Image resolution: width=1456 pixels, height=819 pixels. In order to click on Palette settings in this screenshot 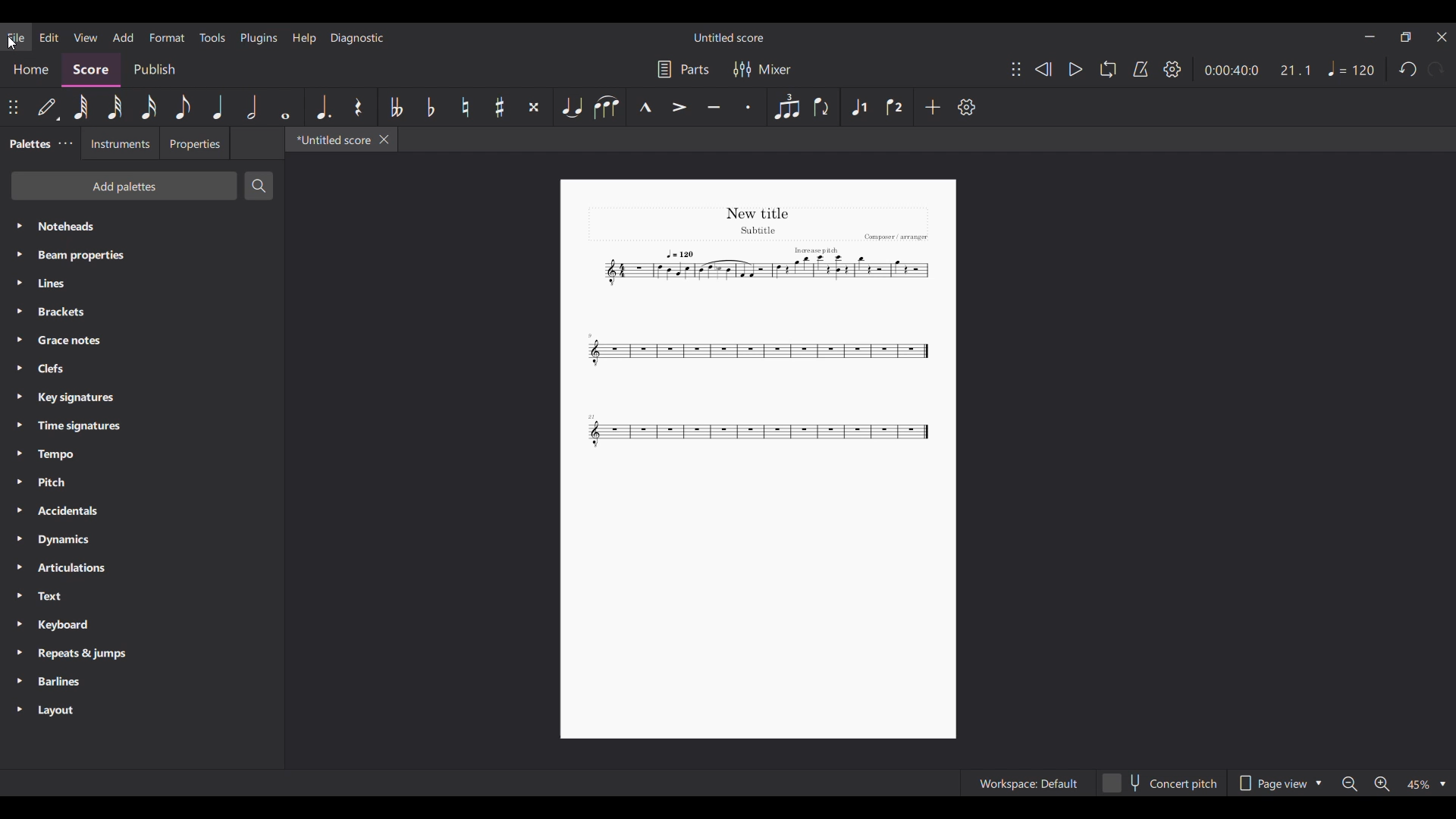, I will do `click(66, 143)`.